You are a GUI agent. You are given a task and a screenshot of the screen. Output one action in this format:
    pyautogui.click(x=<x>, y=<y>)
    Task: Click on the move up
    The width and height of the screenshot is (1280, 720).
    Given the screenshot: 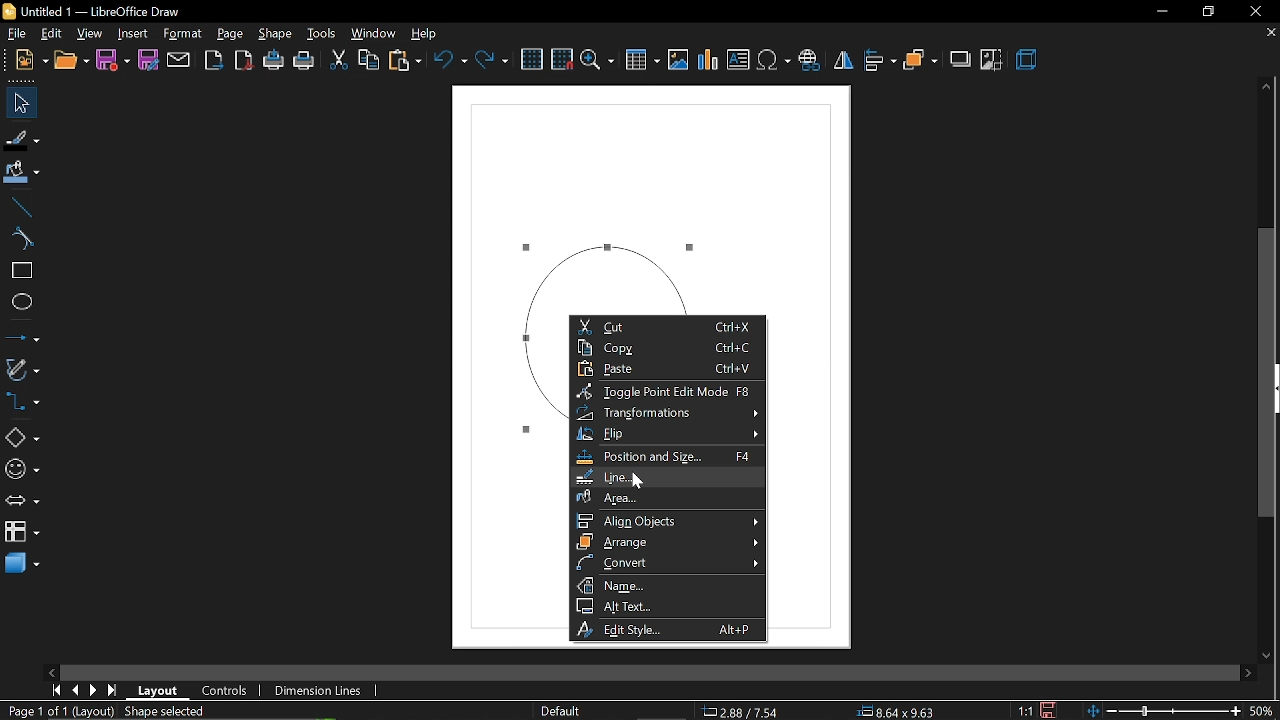 What is the action you would take?
    pyautogui.click(x=1265, y=86)
    